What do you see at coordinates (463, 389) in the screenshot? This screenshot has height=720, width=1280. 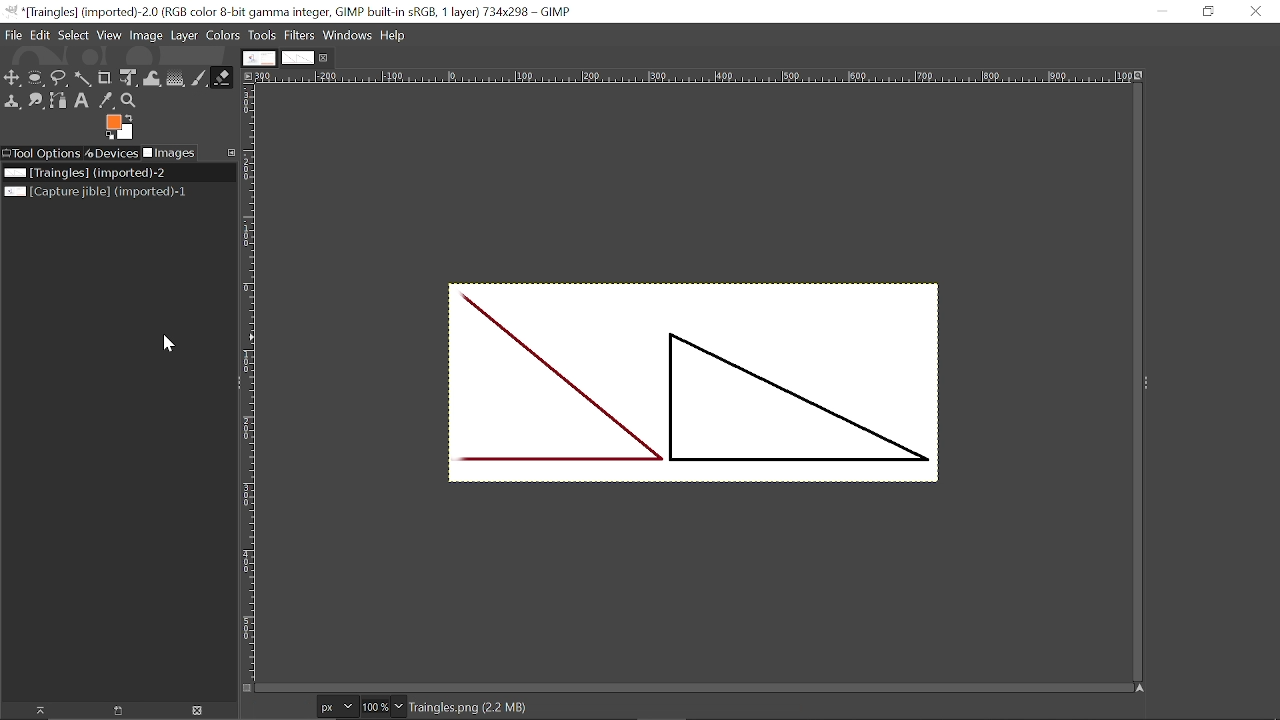 I see `Erased part of the image` at bounding box center [463, 389].